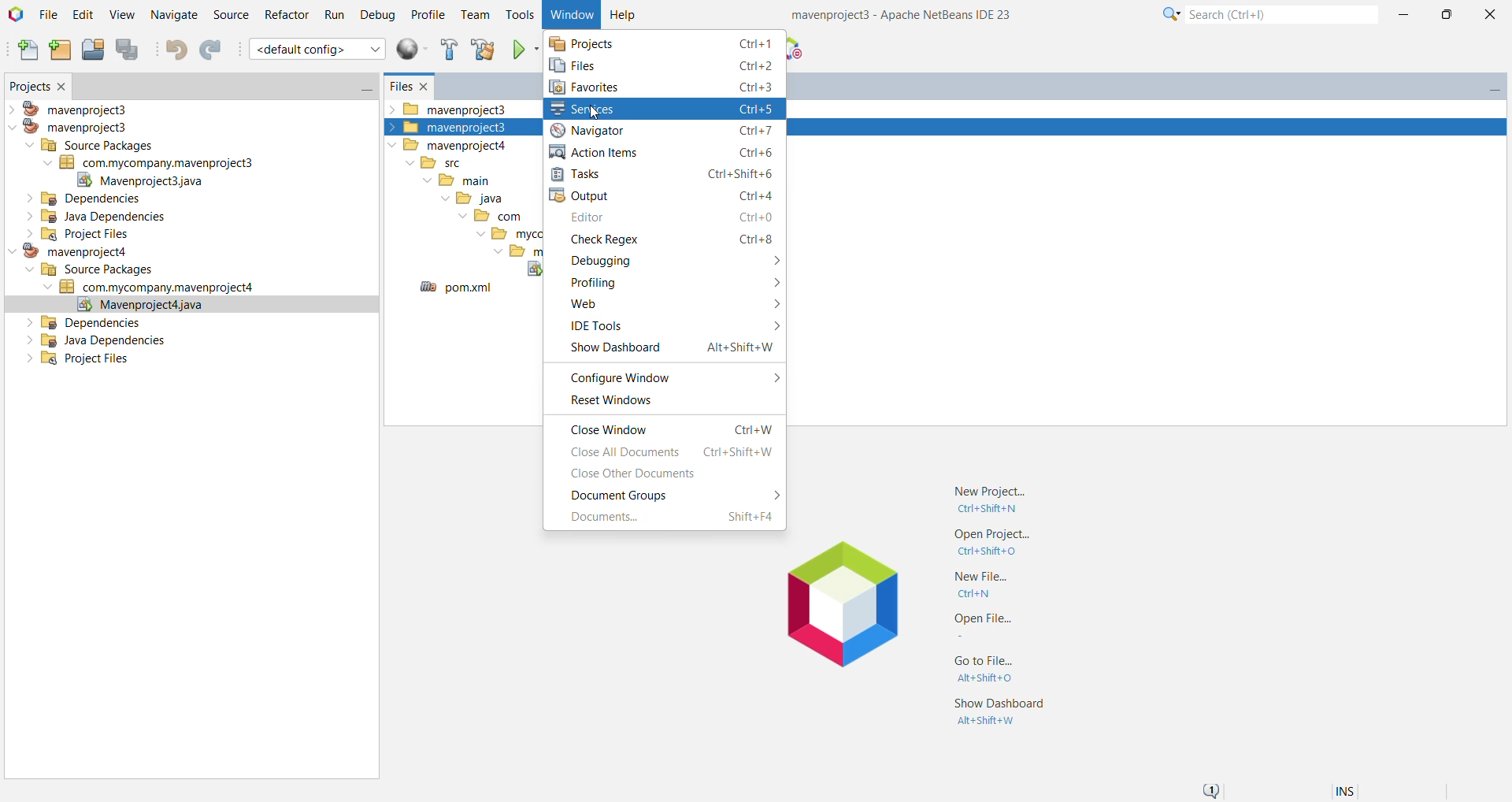 The width and height of the screenshot is (1512, 802). I want to click on IDE Tools, so click(670, 326).